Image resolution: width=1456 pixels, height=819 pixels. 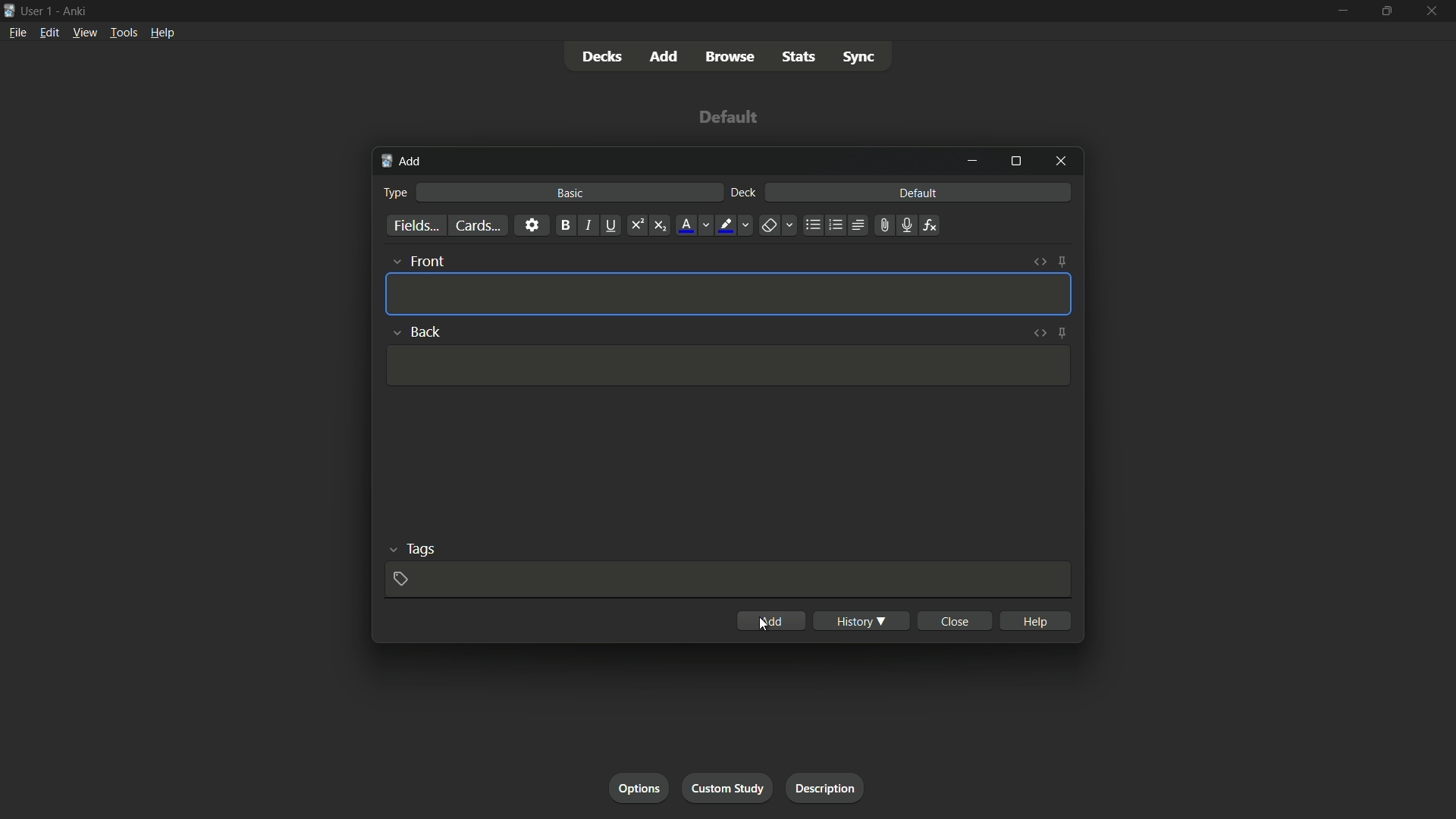 I want to click on attach file, so click(x=885, y=225).